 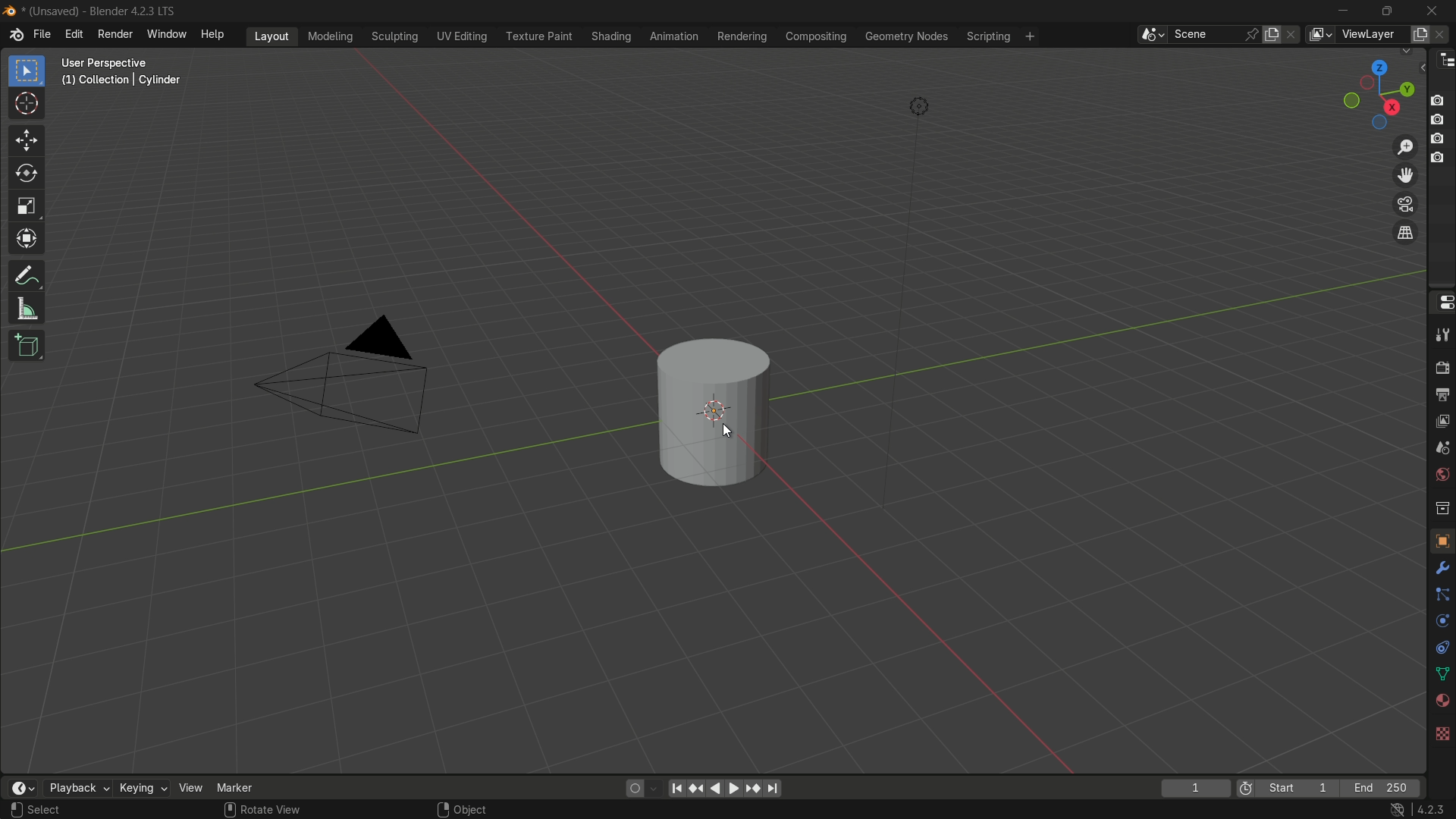 I want to click on cursor, so click(x=732, y=431).